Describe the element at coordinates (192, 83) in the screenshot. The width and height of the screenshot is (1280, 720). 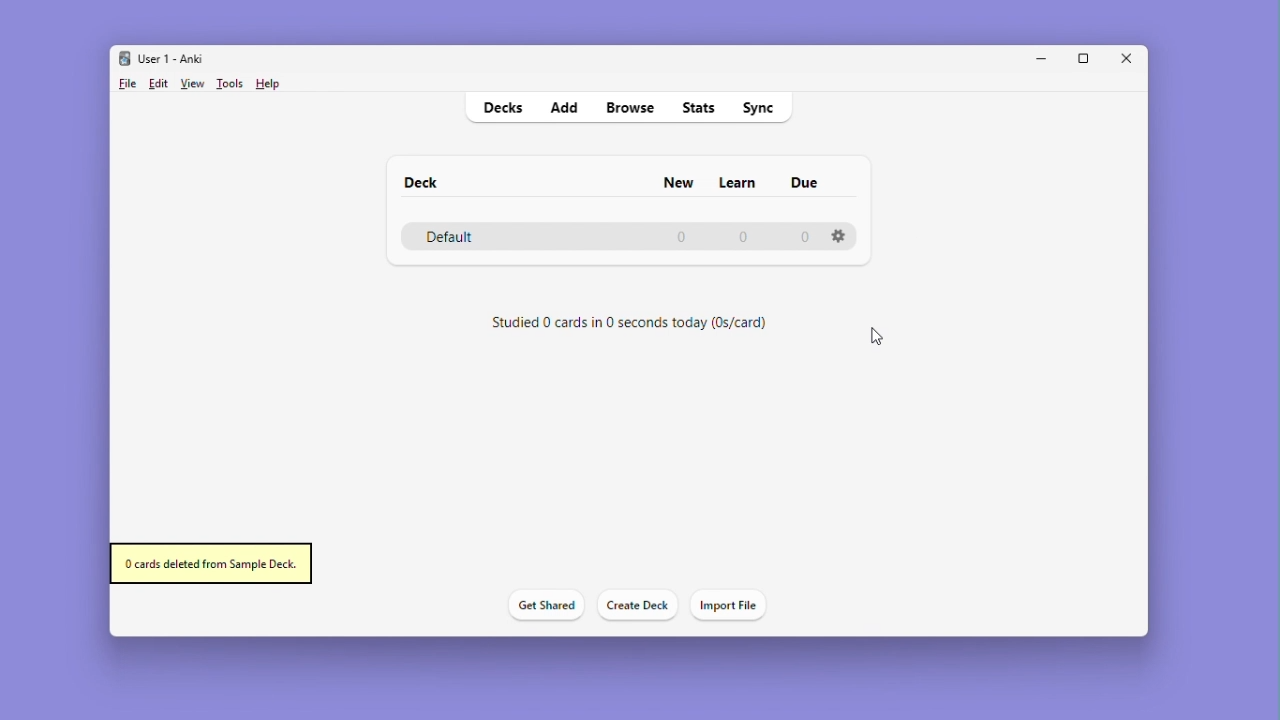
I see `View` at that location.